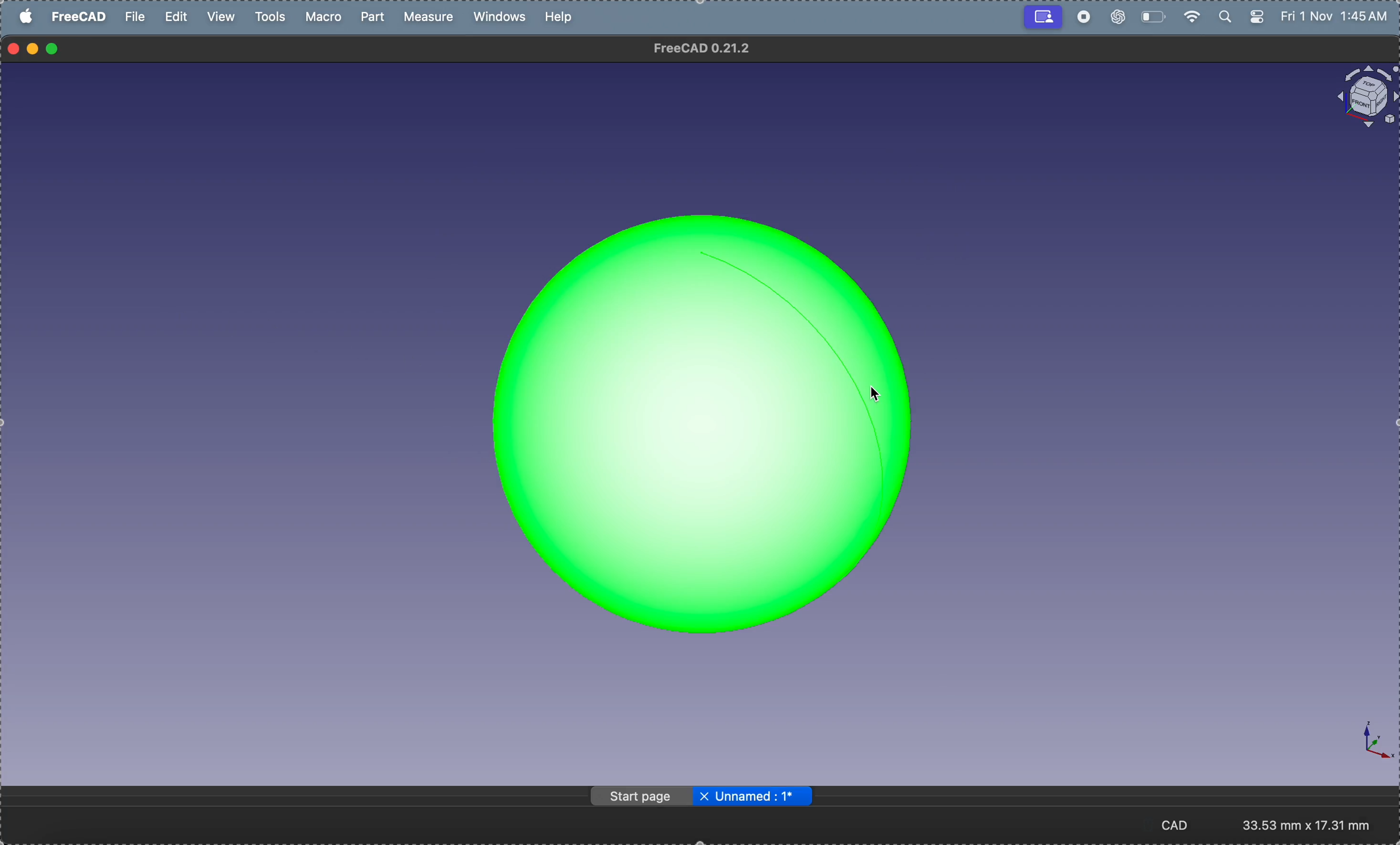 This screenshot has width=1400, height=845. Describe the element at coordinates (56, 49) in the screenshot. I see `maximize` at that location.